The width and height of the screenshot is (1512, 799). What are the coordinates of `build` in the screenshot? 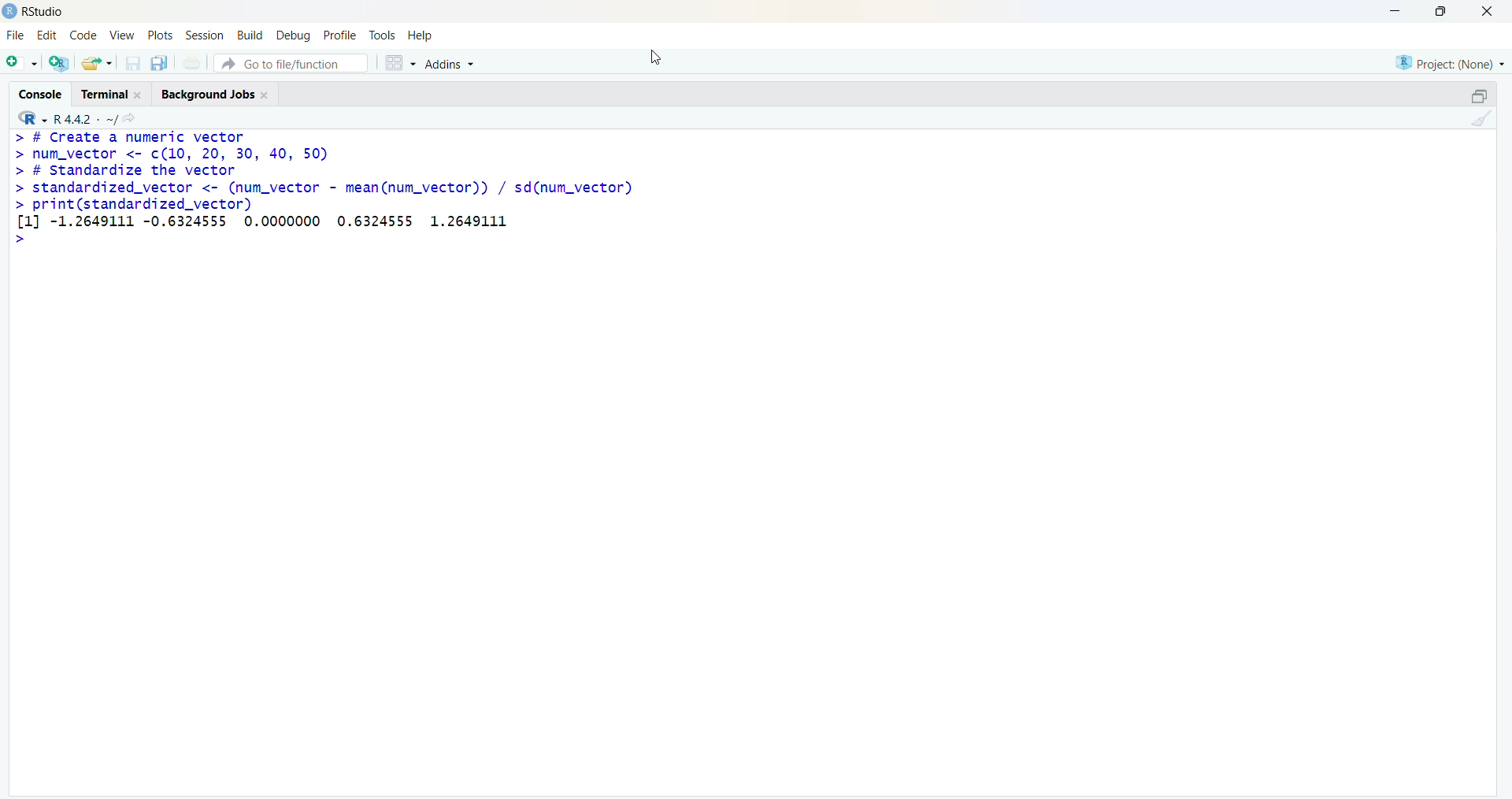 It's located at (250, 35).